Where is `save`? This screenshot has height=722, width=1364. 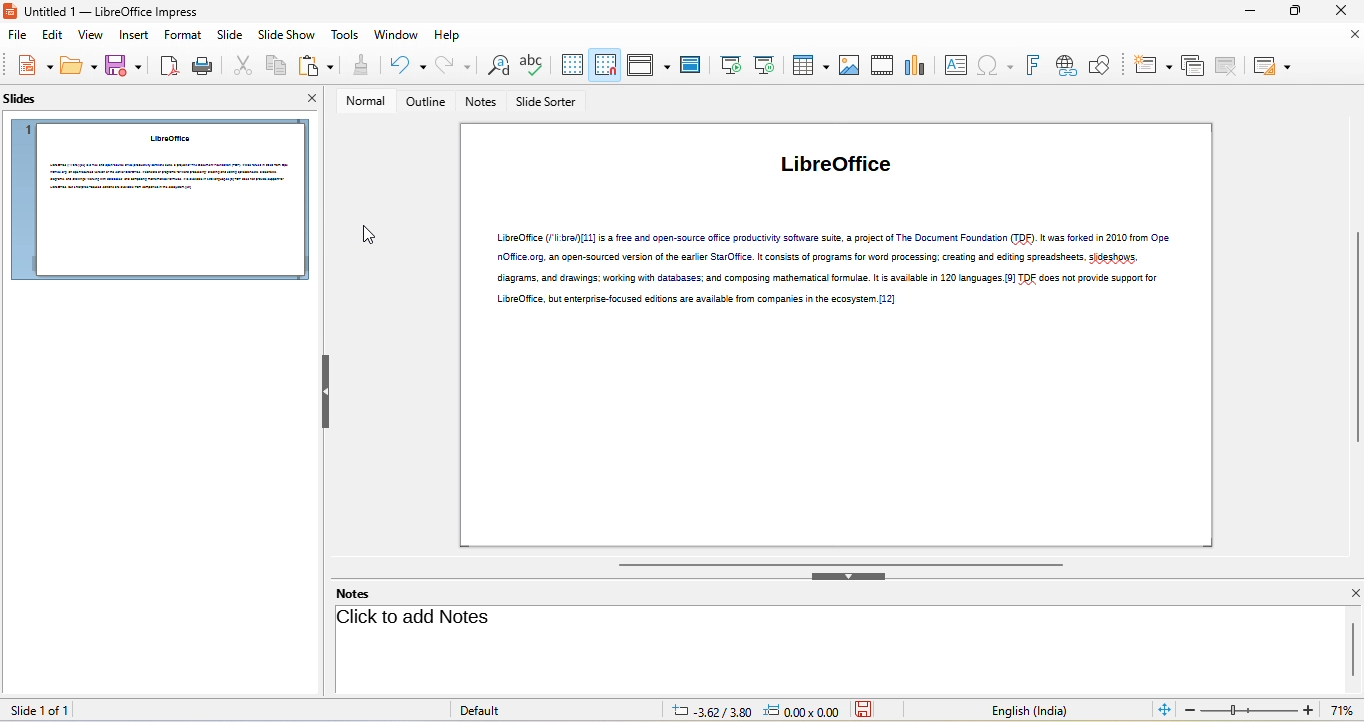 save is located at coordinates (124, 65).